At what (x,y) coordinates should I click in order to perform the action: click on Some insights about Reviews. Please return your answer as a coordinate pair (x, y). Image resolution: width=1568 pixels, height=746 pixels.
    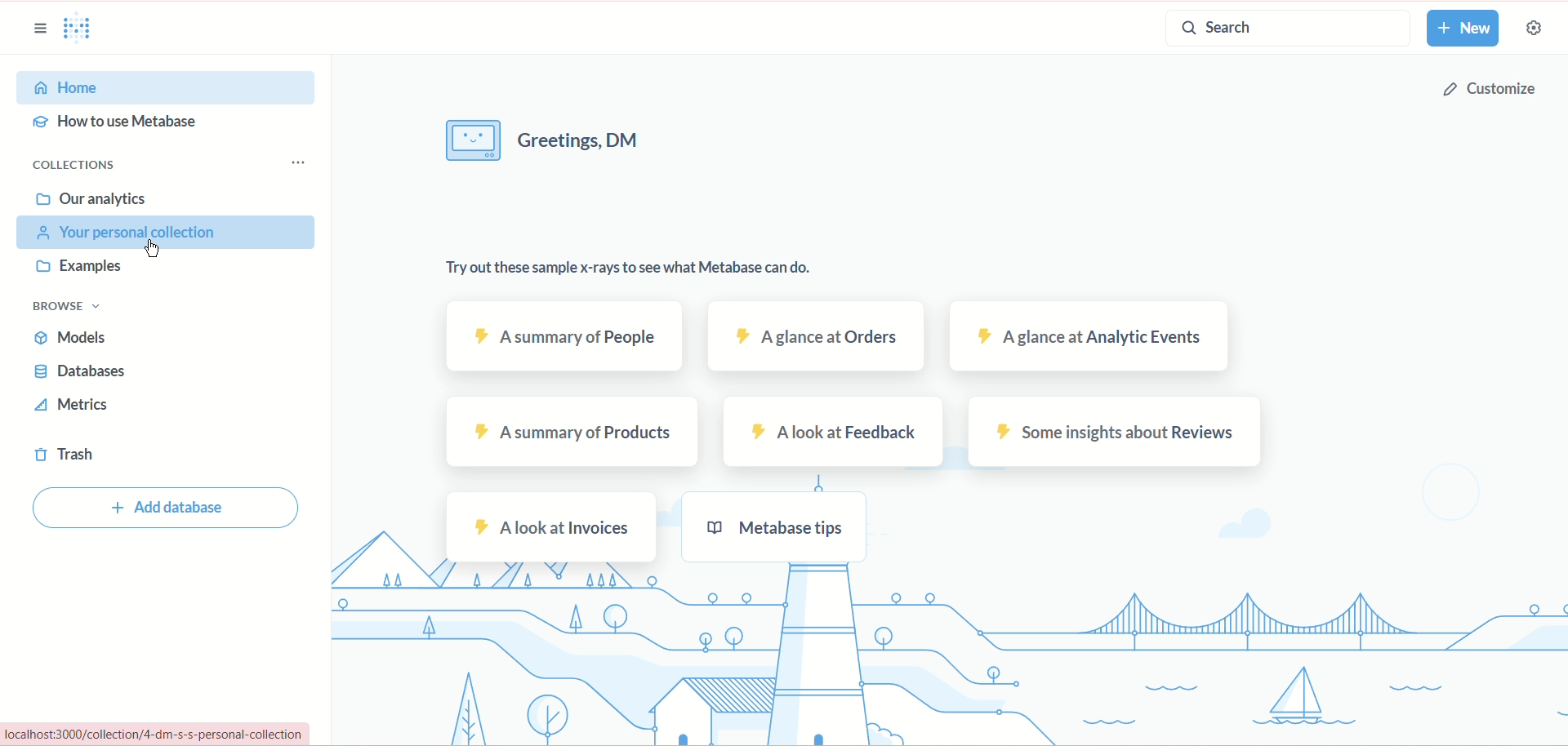
    Looking at the image, I should click on (1116, 434).